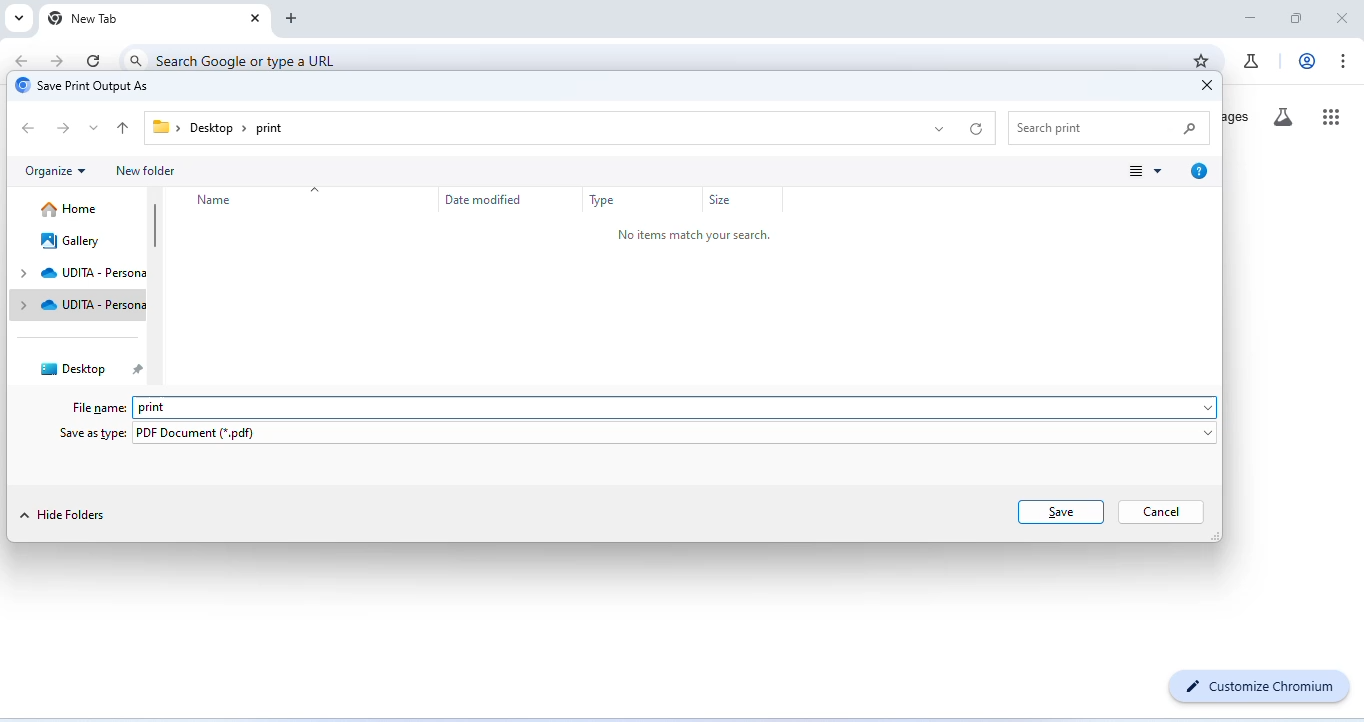 The width and height of the screenshot is (1364, 722). What do you see at coordinates (980, 129) in the screenshot?
I see `refresh` at bounding box center [980, 129].